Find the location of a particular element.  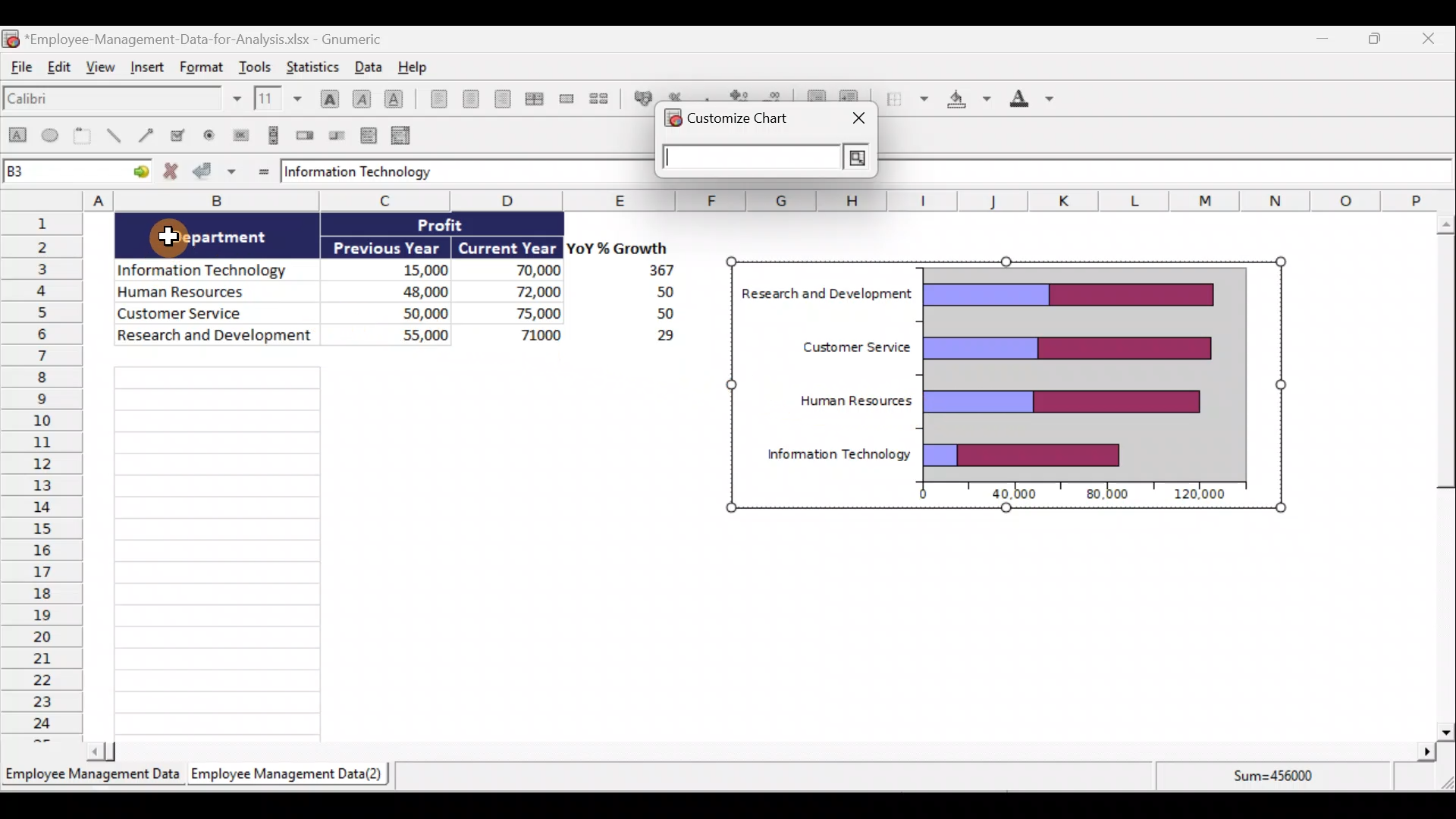

Edit is located at coordinates (62, 71).